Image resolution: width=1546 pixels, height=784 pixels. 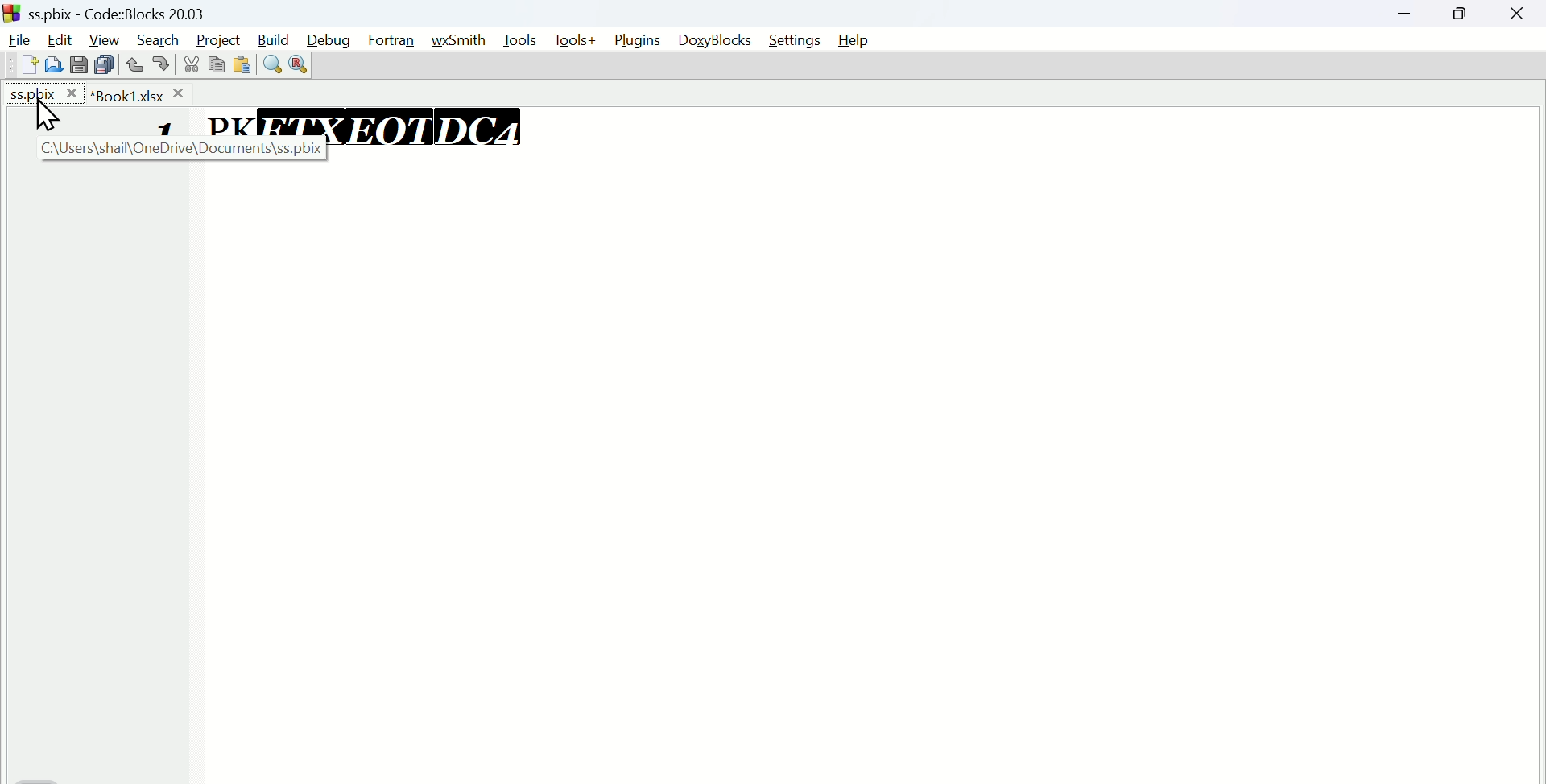 I want to click on Undo, so click(x=135, y=61).